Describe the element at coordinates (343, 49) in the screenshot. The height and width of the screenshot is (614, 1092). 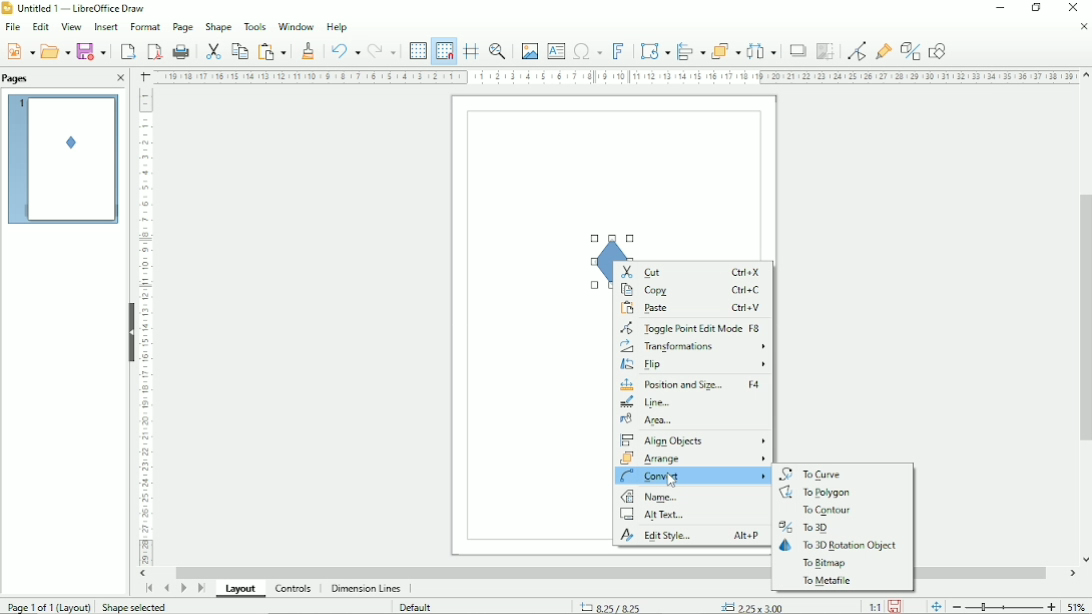
I see `Undo` at that location.